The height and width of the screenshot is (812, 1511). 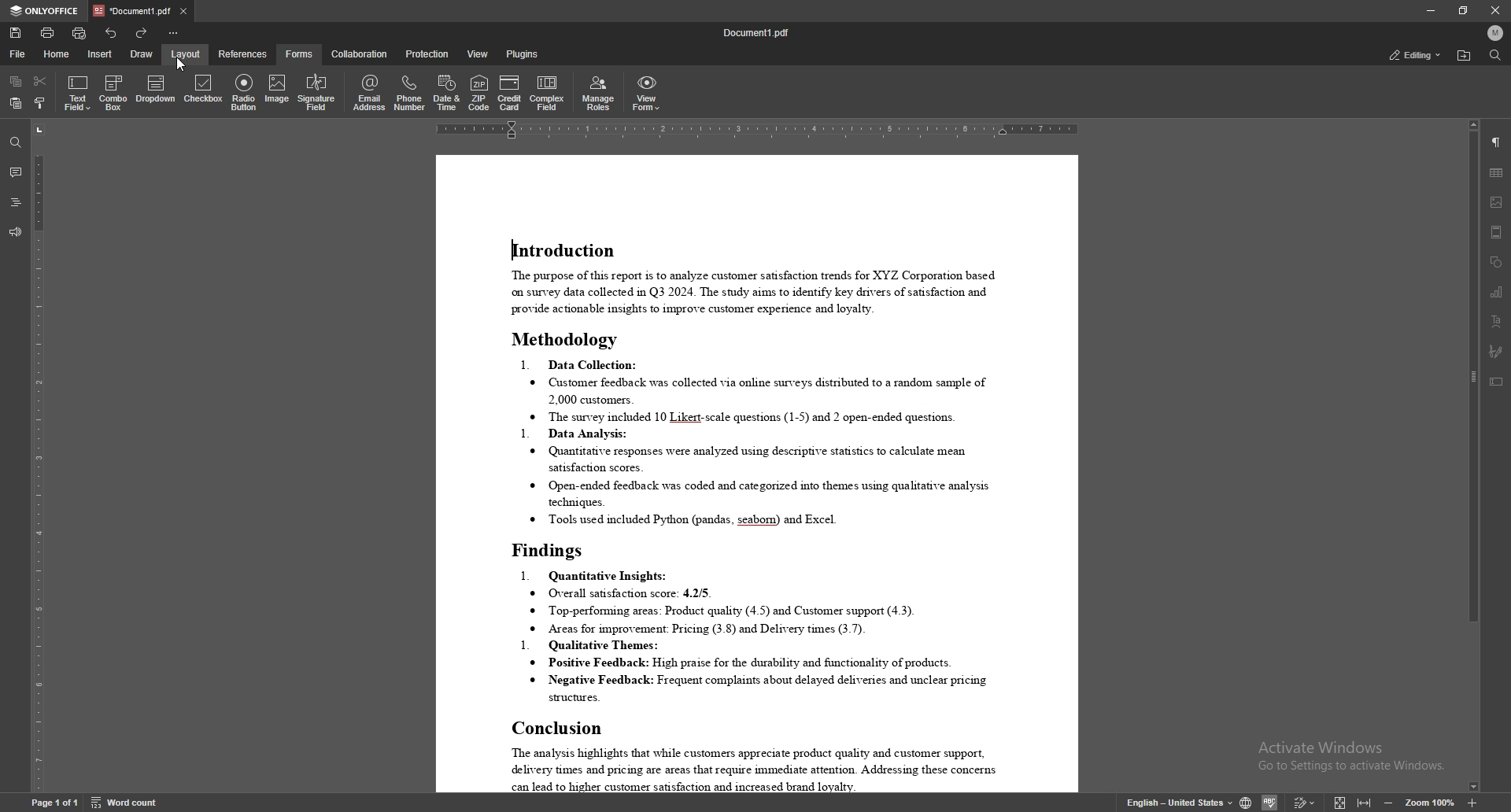 I want to click on vertical scale, so click(x=35, y=456).